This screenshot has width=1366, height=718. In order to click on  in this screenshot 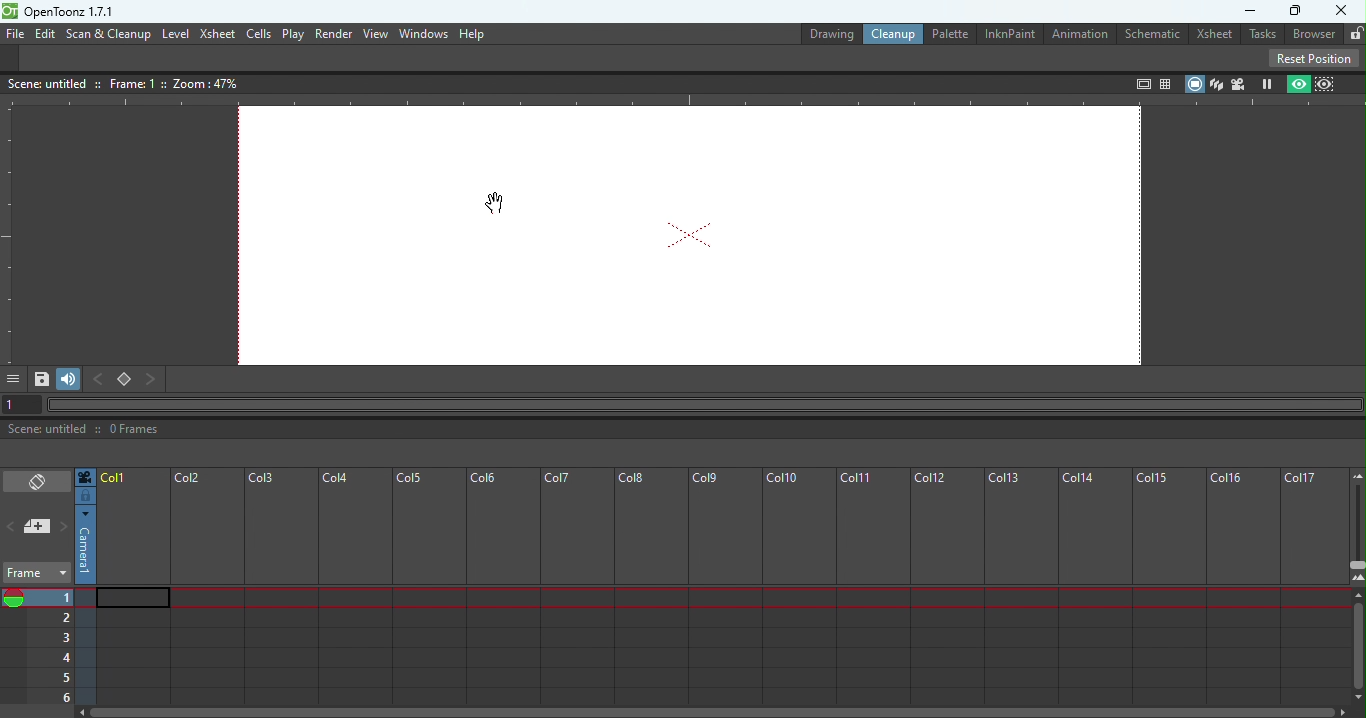, I will do `click(15, 374)`.